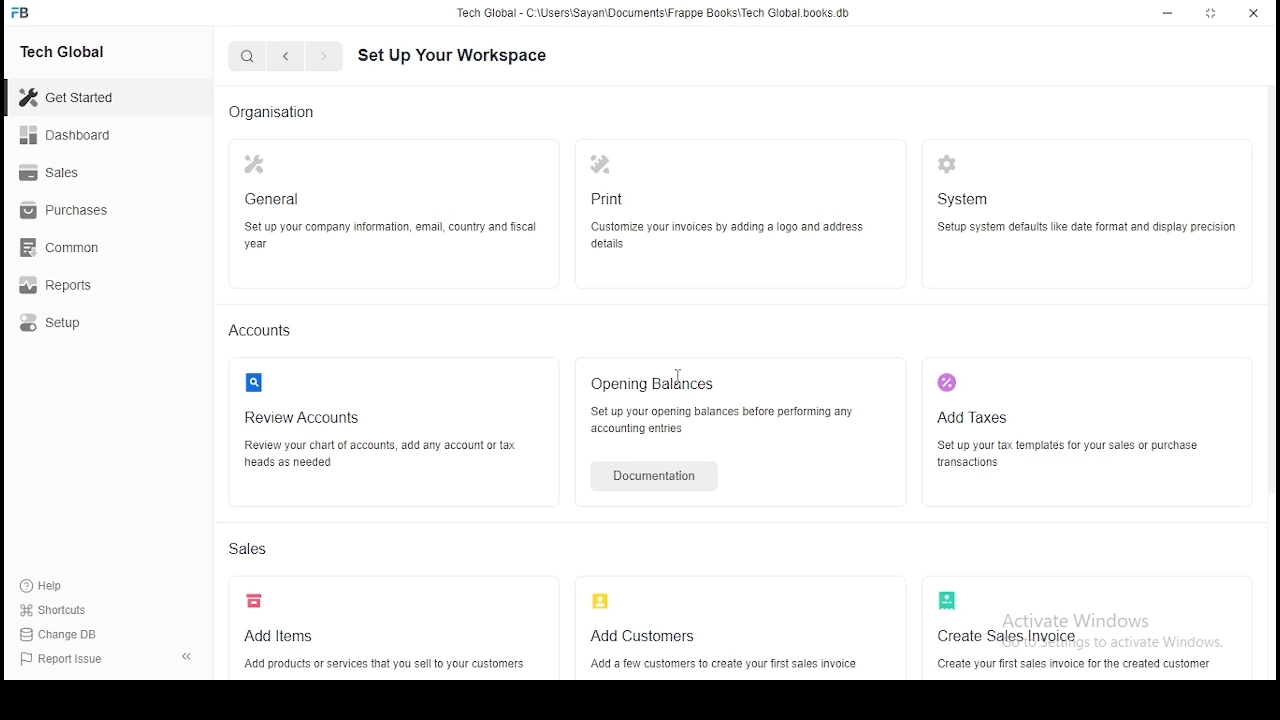 This screenshot has width=1280, height=720. What do you see at coordinates (192, 659) in the screenshot?
I see `hide sidebar` at bounding box center [192, 659].